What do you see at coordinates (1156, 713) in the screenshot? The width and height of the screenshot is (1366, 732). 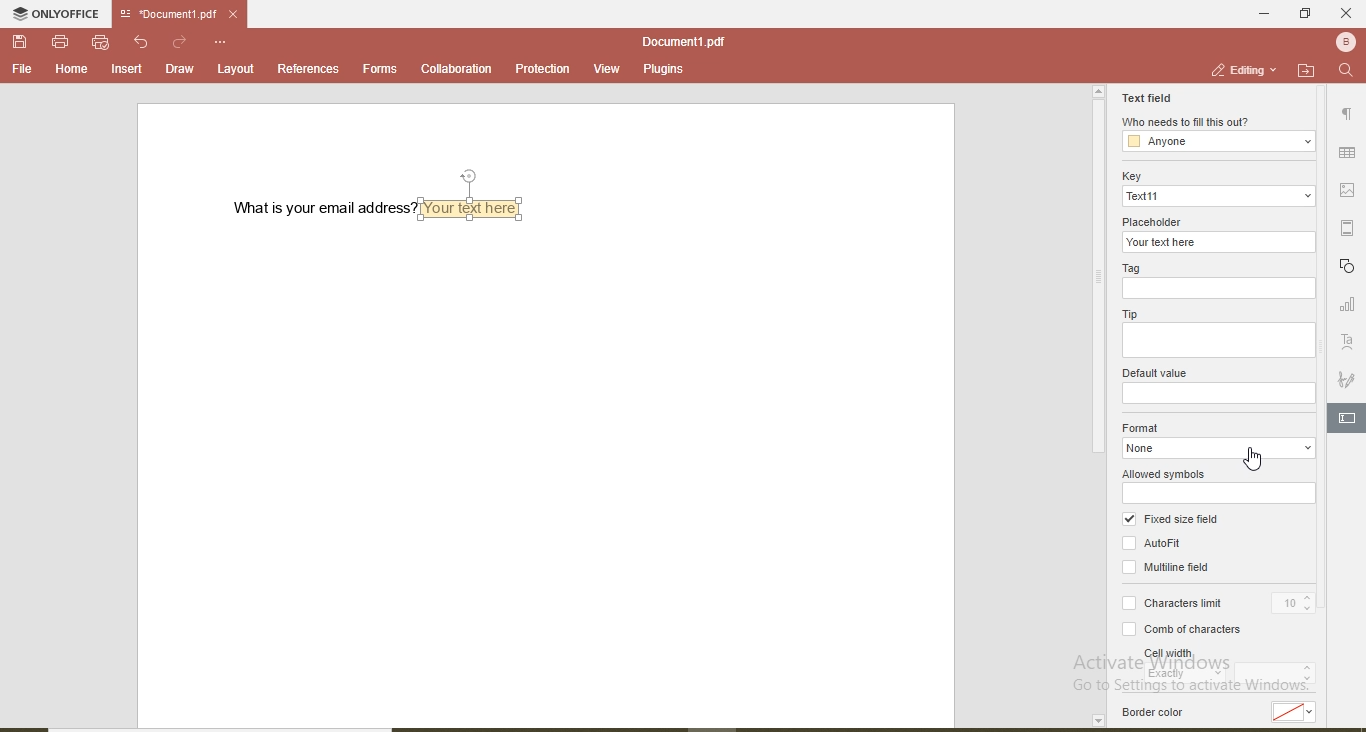 I see `border color` at bounding box center [1156, 713].